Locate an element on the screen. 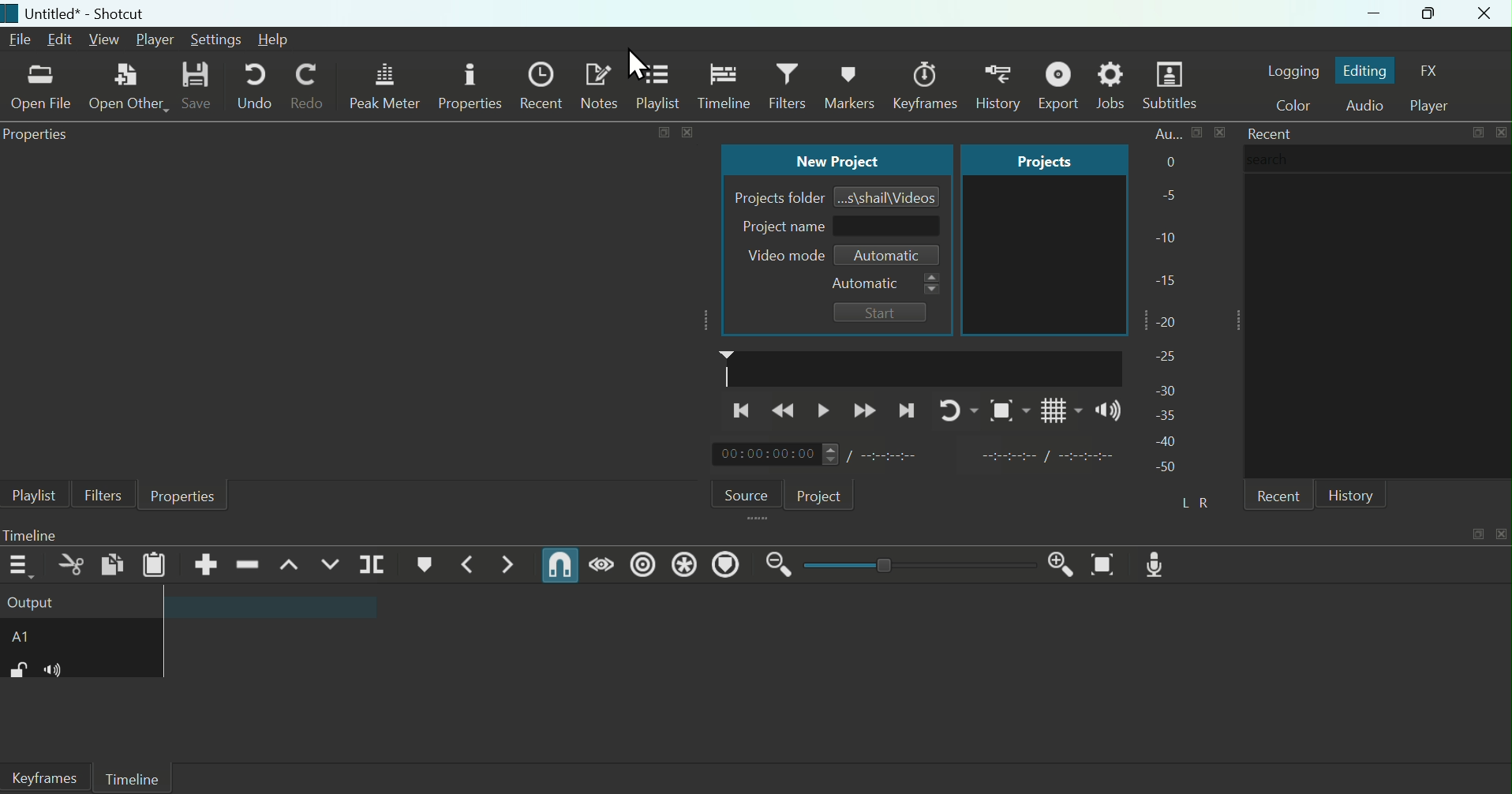  L R is located at coordinates (1200, 503).